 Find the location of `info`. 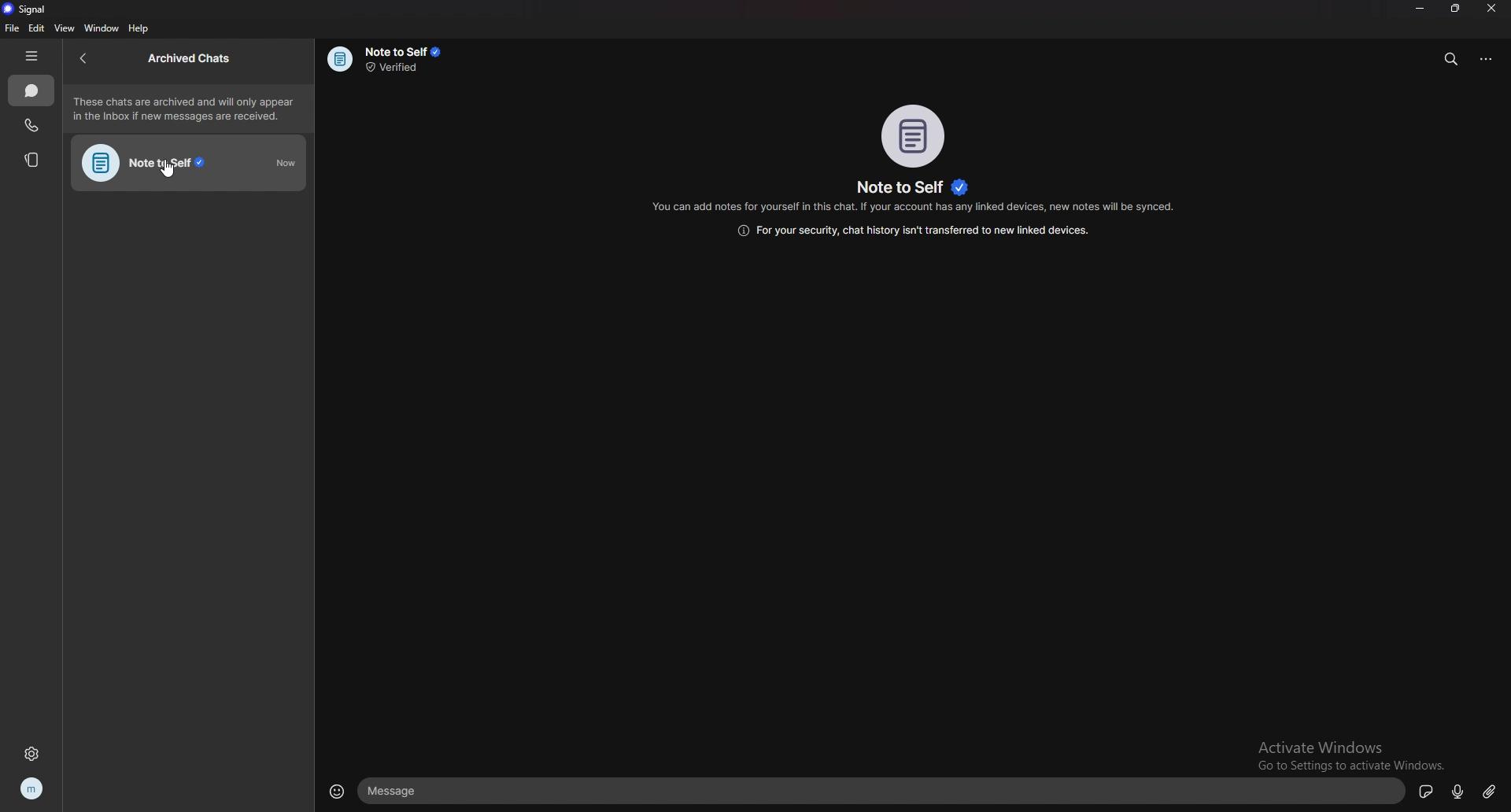

info is located at coordinates (919, 209).